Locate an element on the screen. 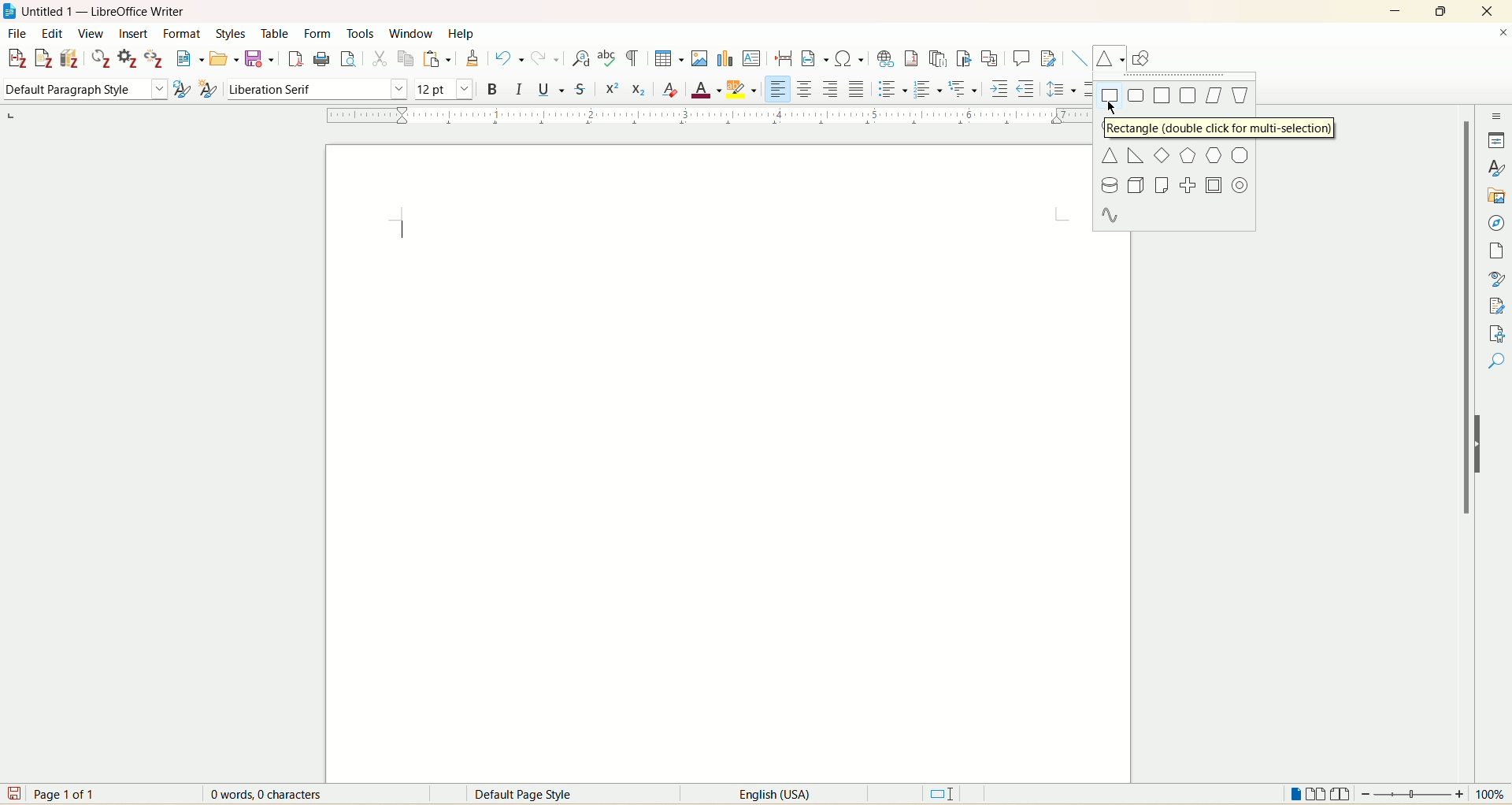  super script is located at coordinates (610, 88).